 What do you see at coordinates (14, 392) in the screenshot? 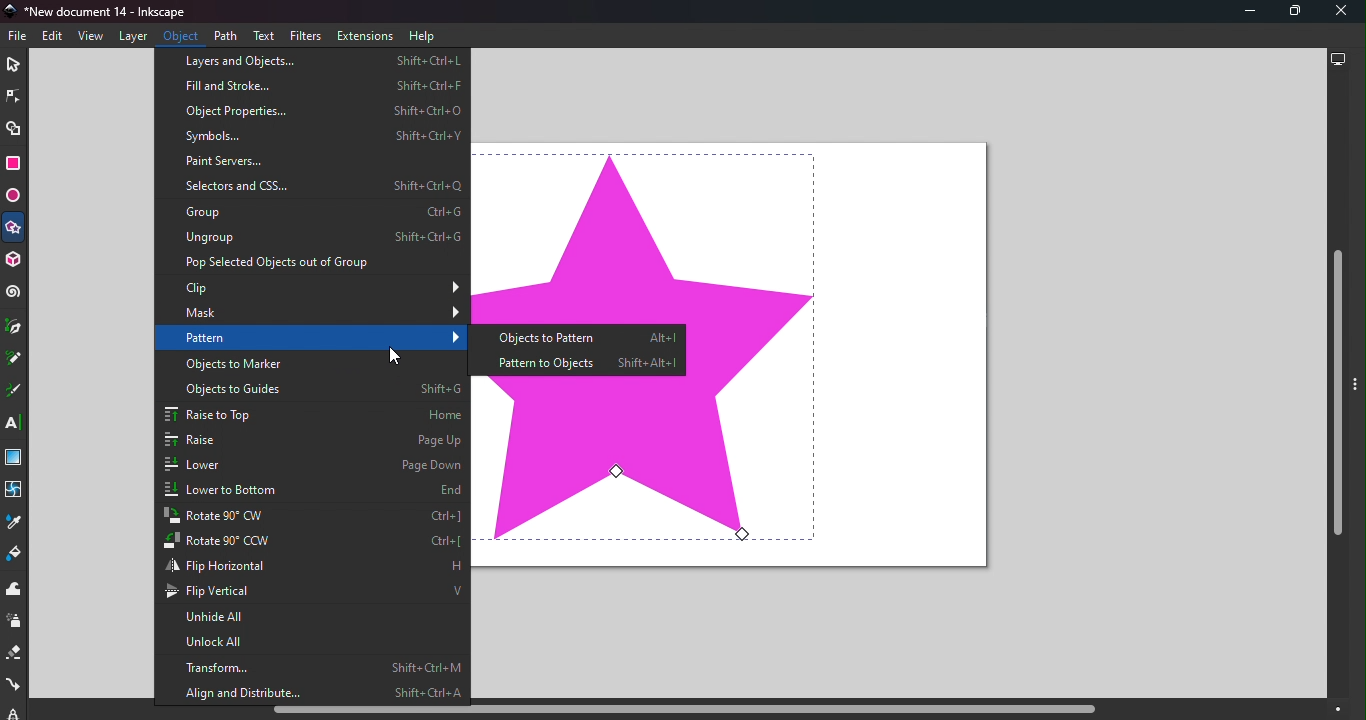
I see `Calligraphy tool` at bounding box center [14, 392].